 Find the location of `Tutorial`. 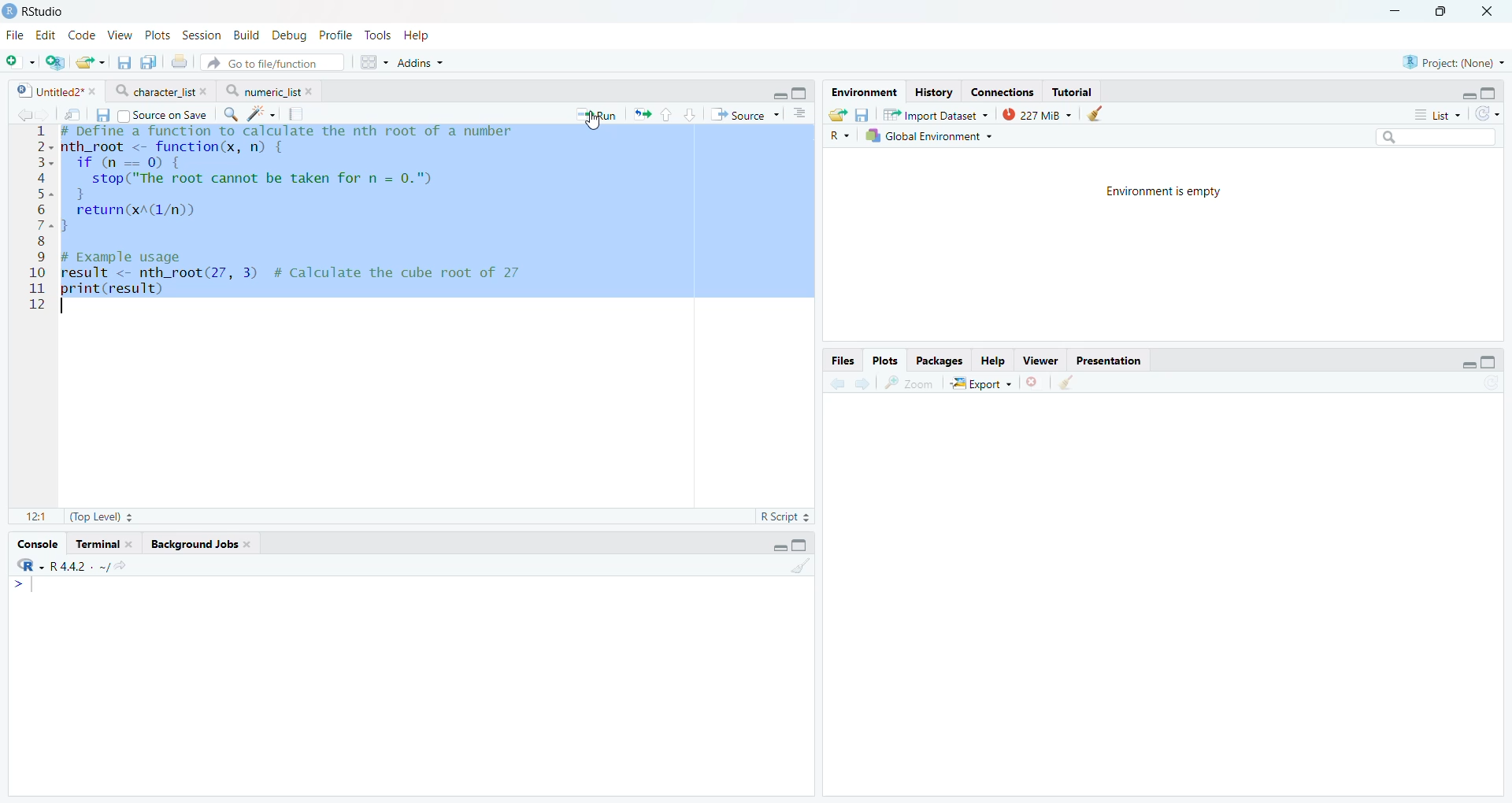

Tutorial is located at coordinates (1072, 91).